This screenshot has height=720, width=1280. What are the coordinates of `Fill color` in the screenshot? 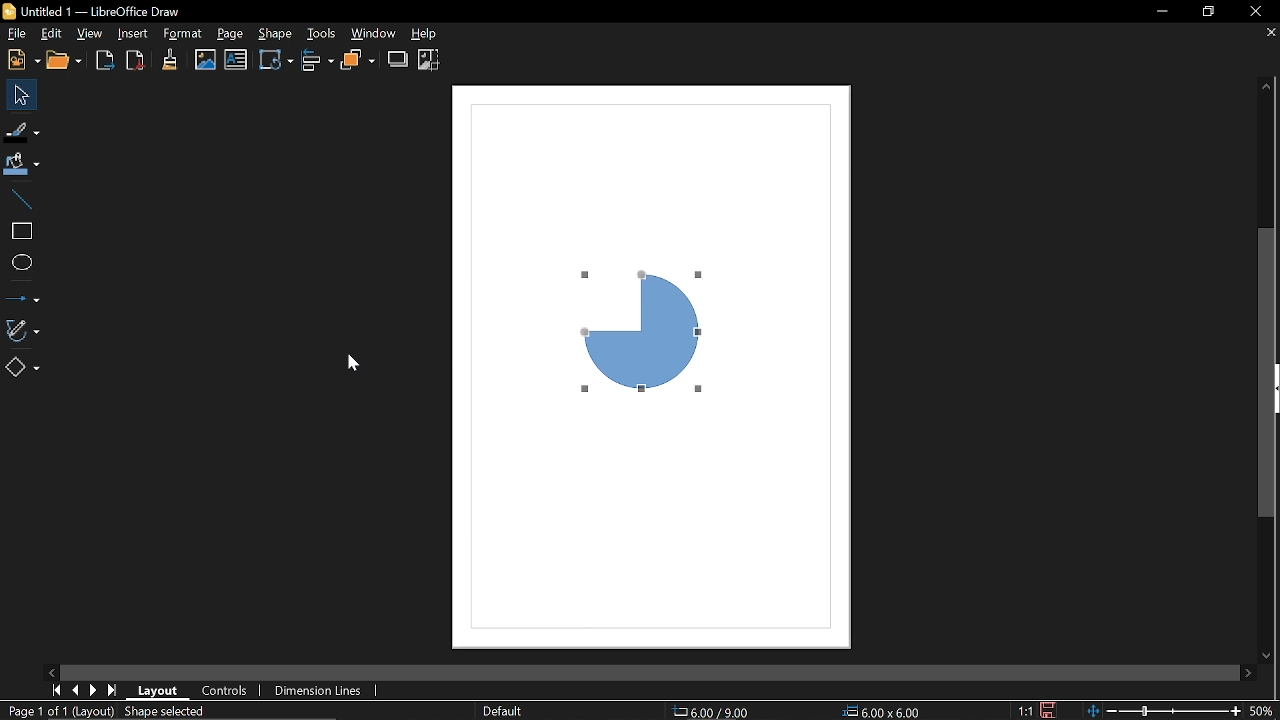 It's located at (22, 164).